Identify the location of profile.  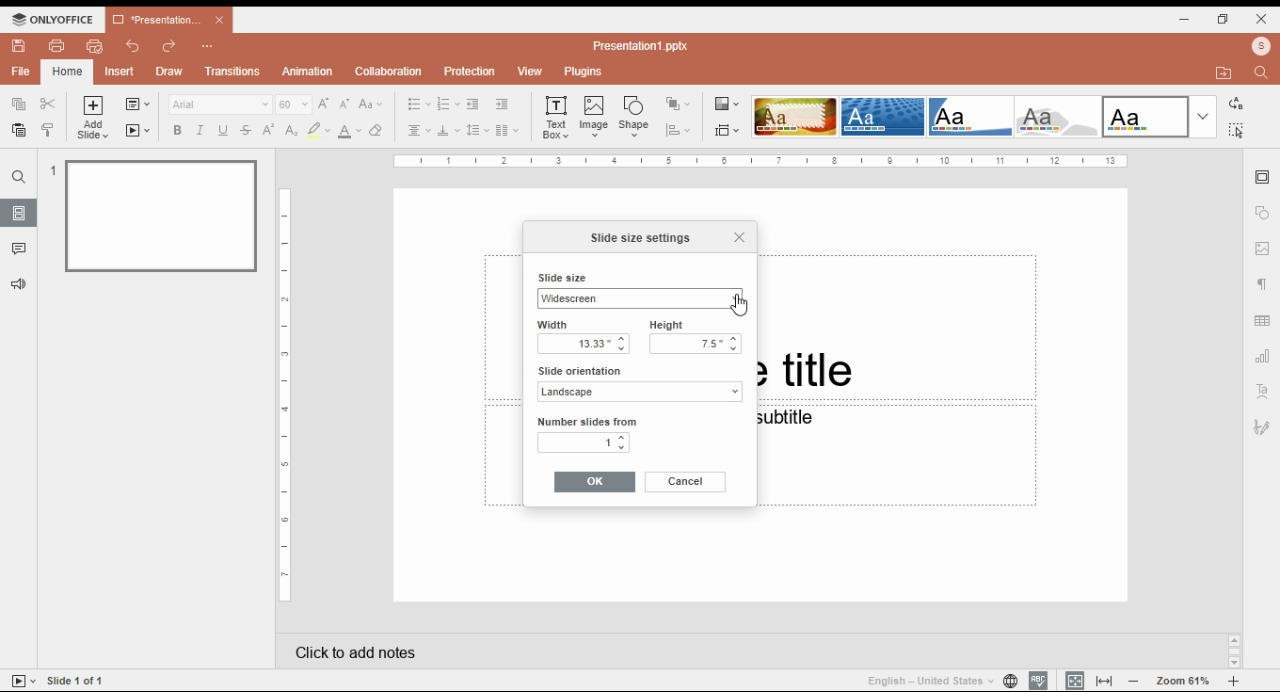
(1261, 46).